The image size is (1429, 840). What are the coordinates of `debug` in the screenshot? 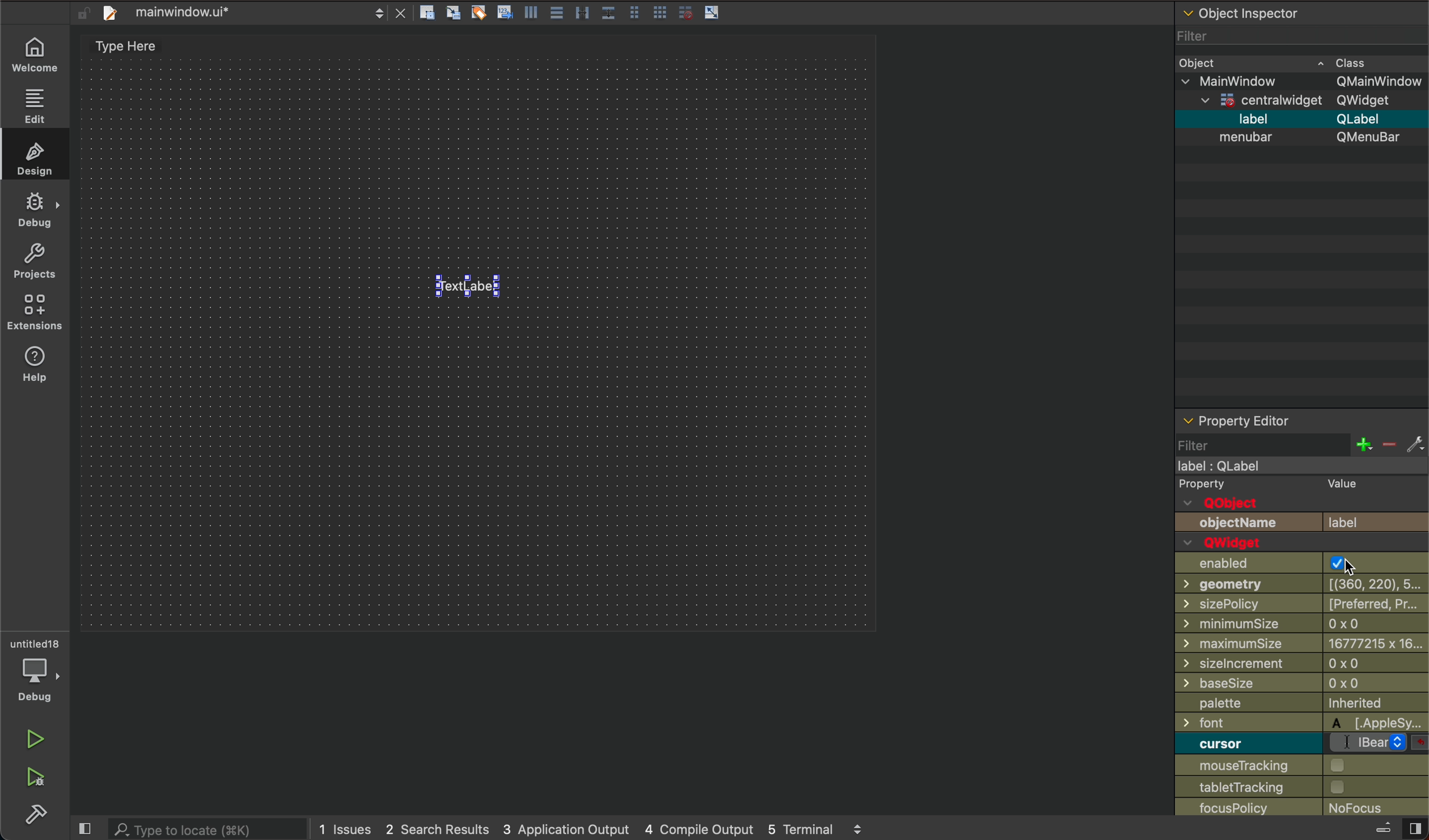 It's located at (37, 215).